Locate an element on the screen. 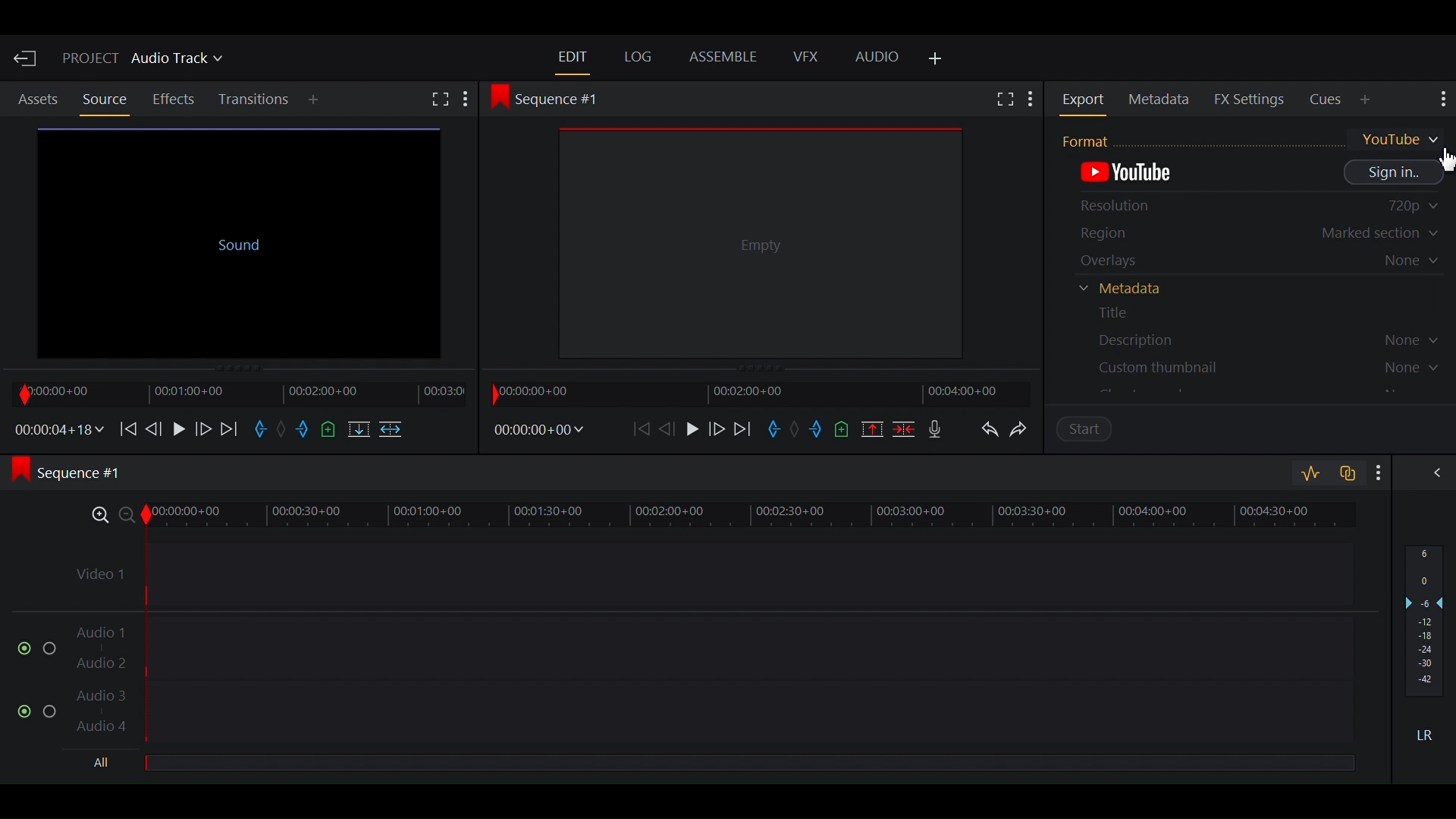 This screenshot has height=819, width=1456. Cues is located at coordinates (1327, 100).